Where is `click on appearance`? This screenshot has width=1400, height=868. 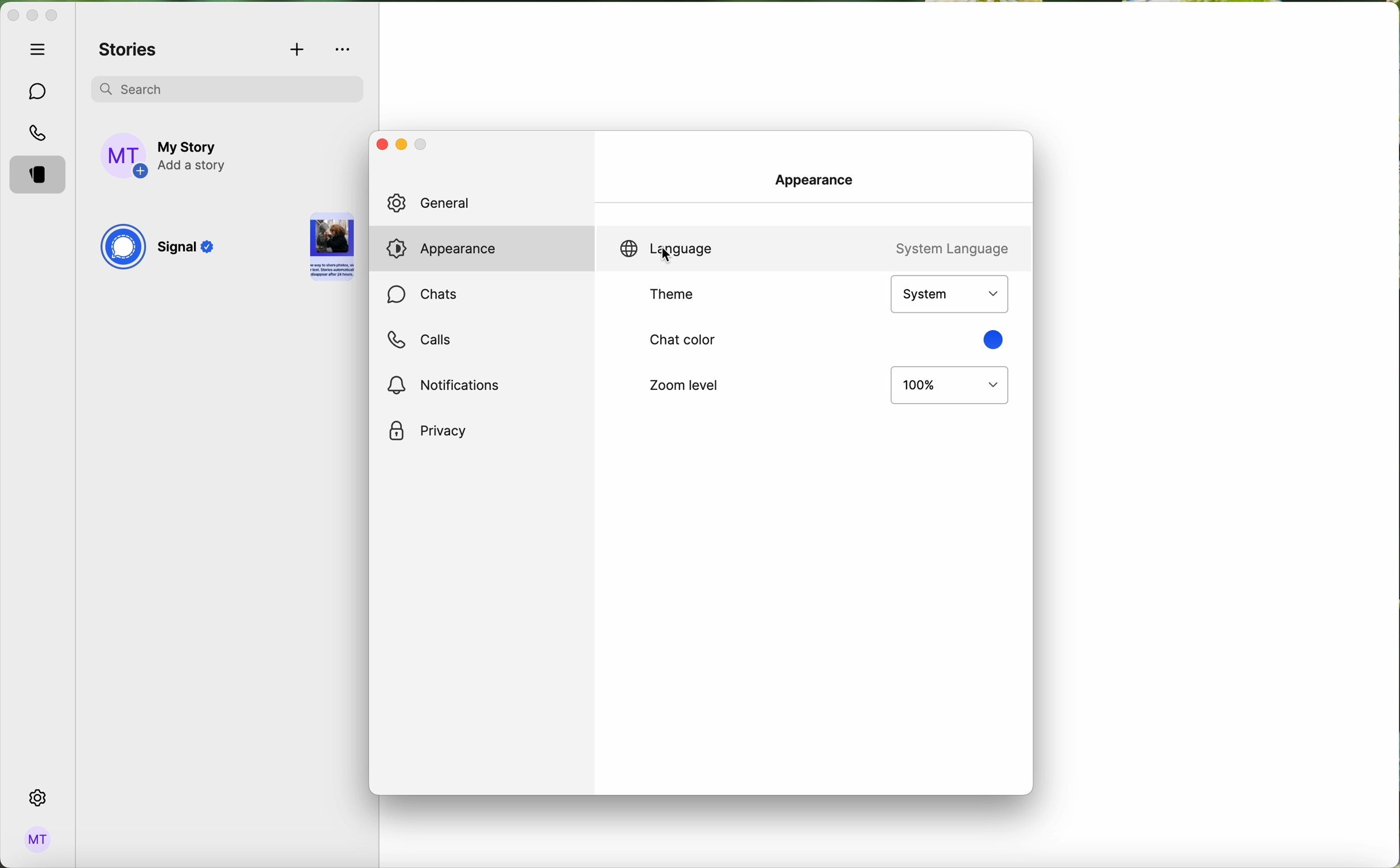
click on appearance is located at coordinates (452, 250).